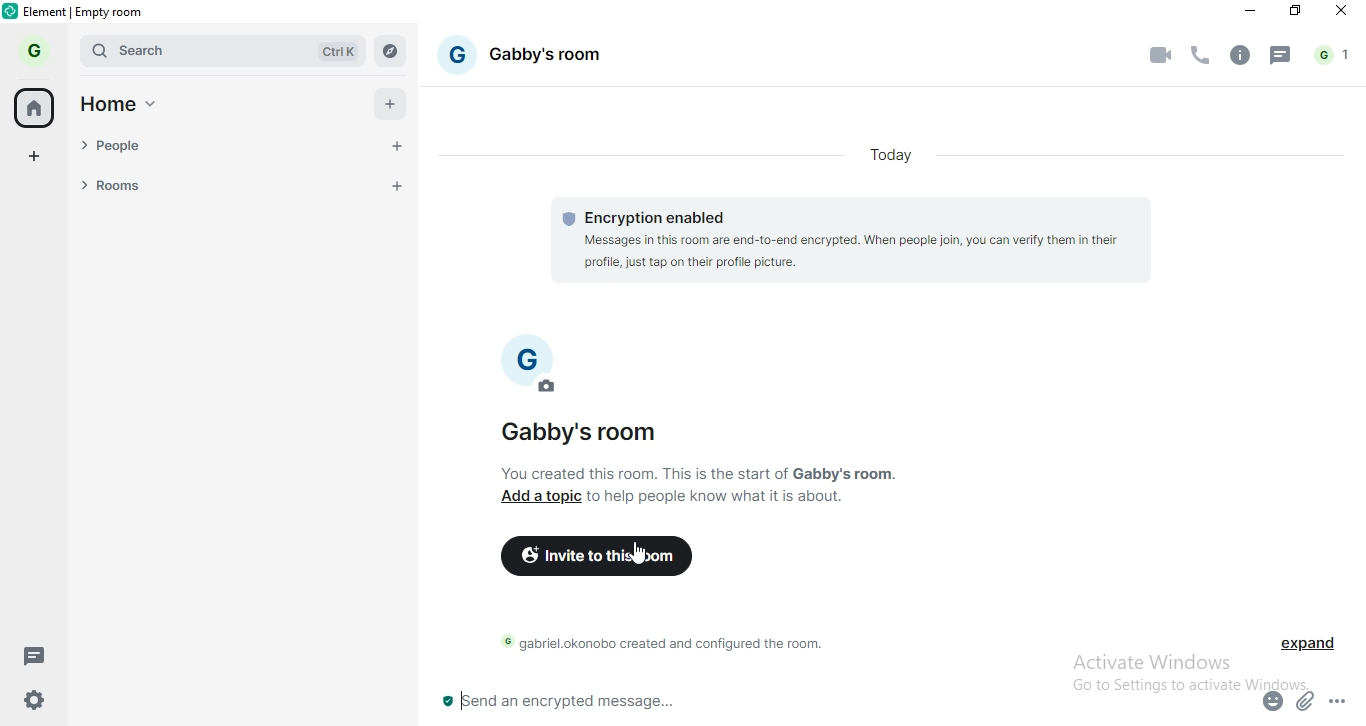  What do you see at coordinates (639, 554) in the screenshot?
I see `cursor` at bounding box center [639, 554].